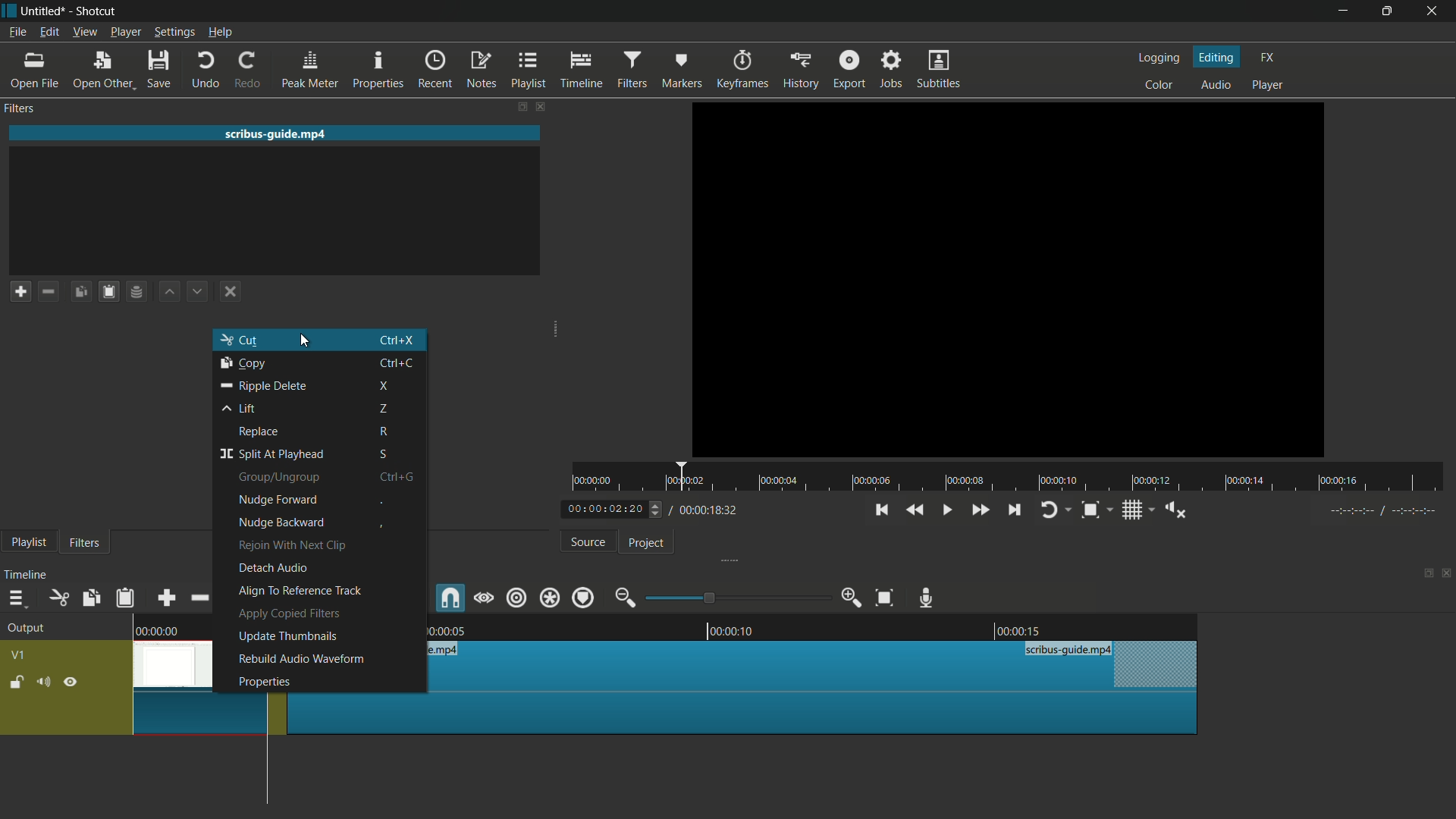  What do you see at coordinates (103, 70) in the screenshot?
I see `open other` at bounding box center [103, 70].